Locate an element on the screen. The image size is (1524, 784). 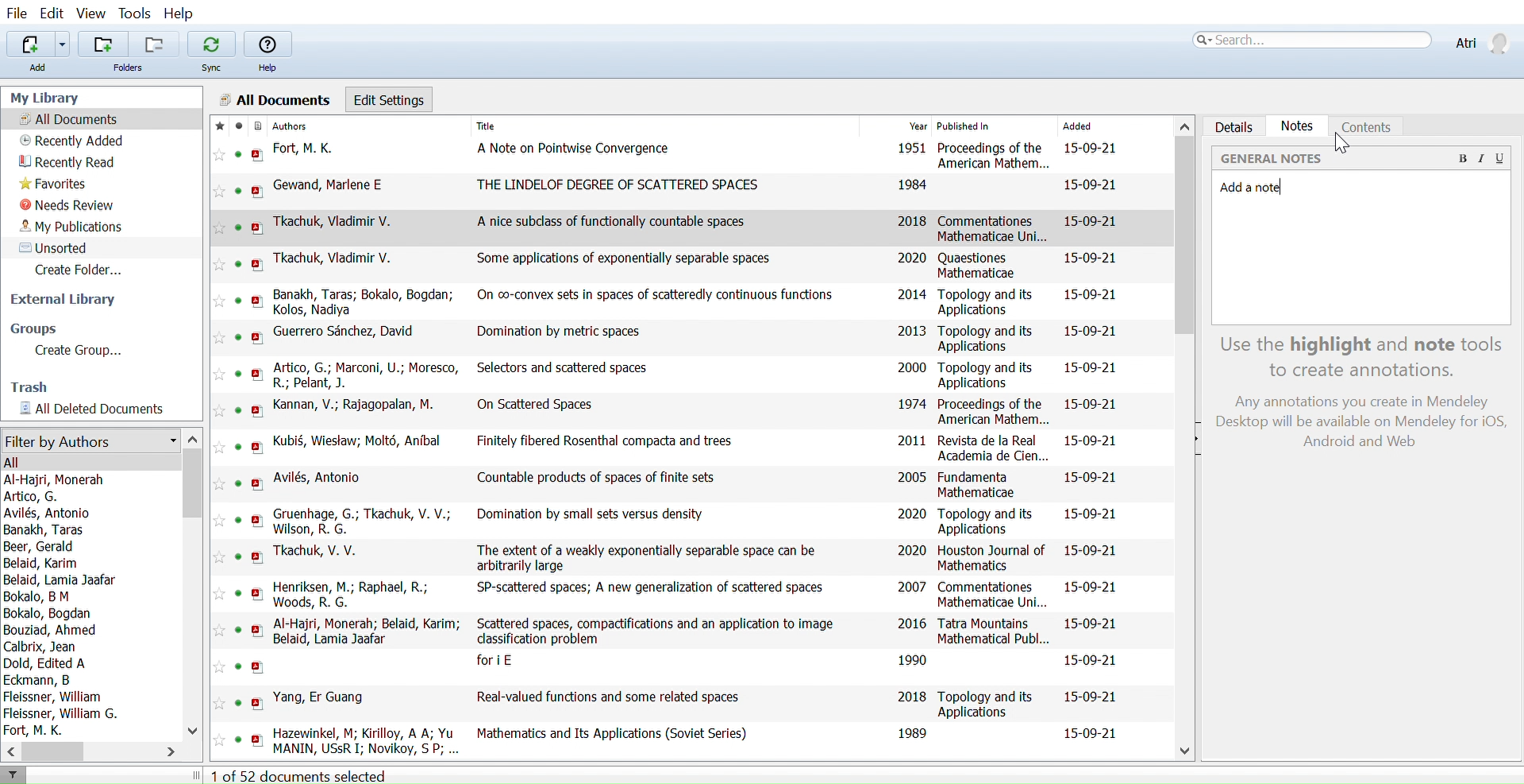
Artico, G. is located at coordinates (33, 497).